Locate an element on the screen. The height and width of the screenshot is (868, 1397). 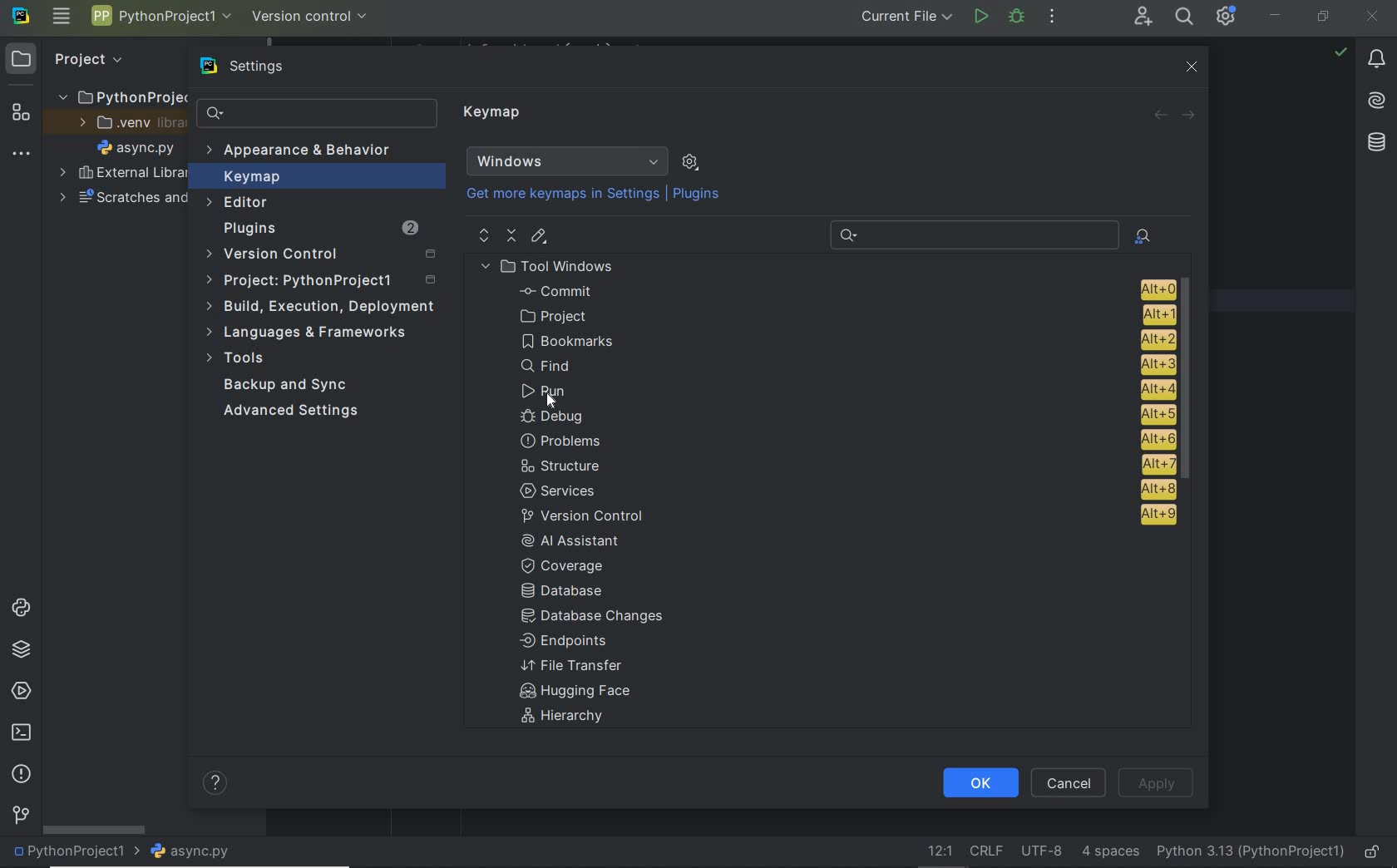
File Encoding is located at coordinates (1043, 852).